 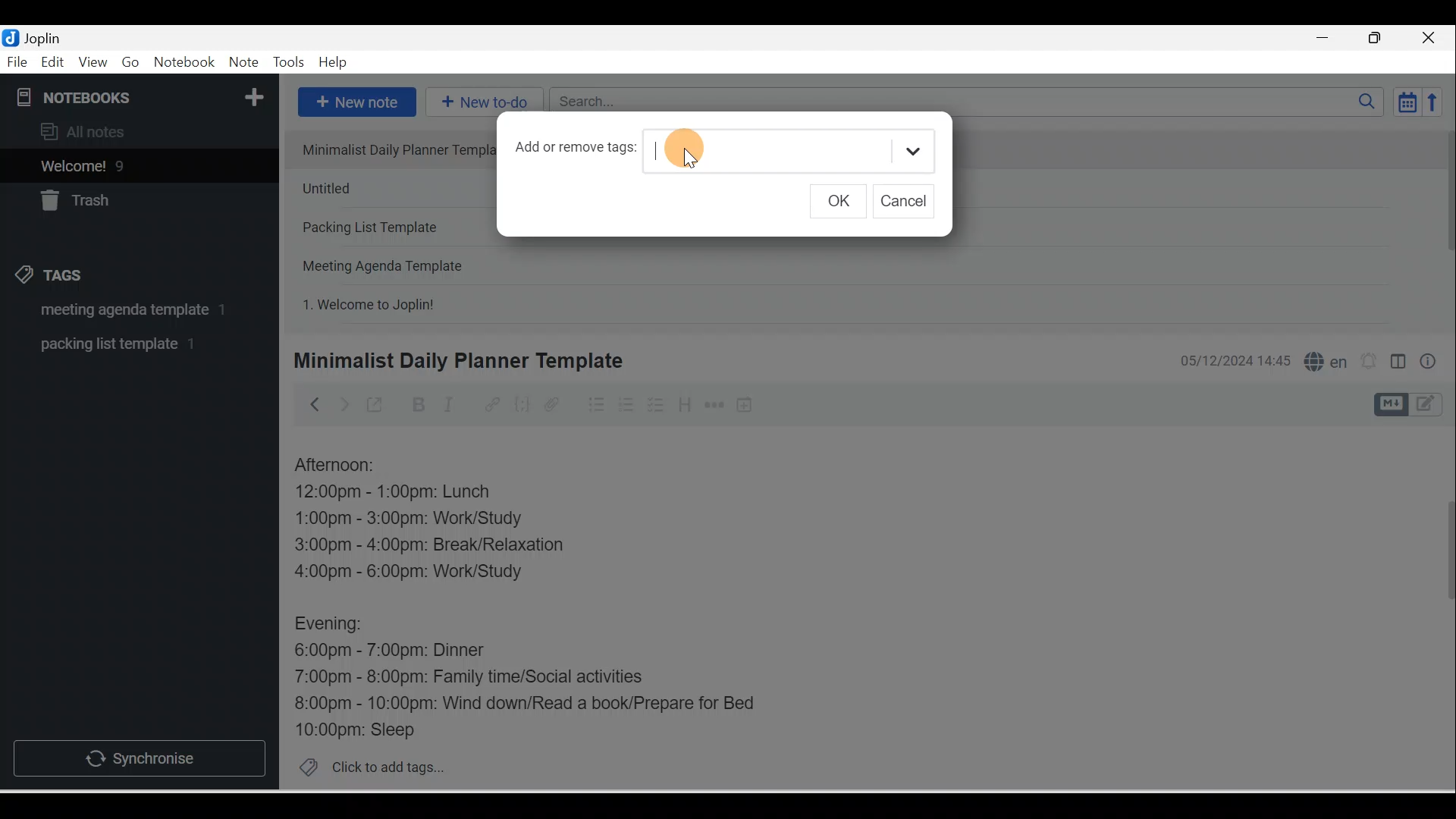 What do you see at coordinates (522, 406) in the screenshot?
I see `Code` at bounding box center [522, 406].